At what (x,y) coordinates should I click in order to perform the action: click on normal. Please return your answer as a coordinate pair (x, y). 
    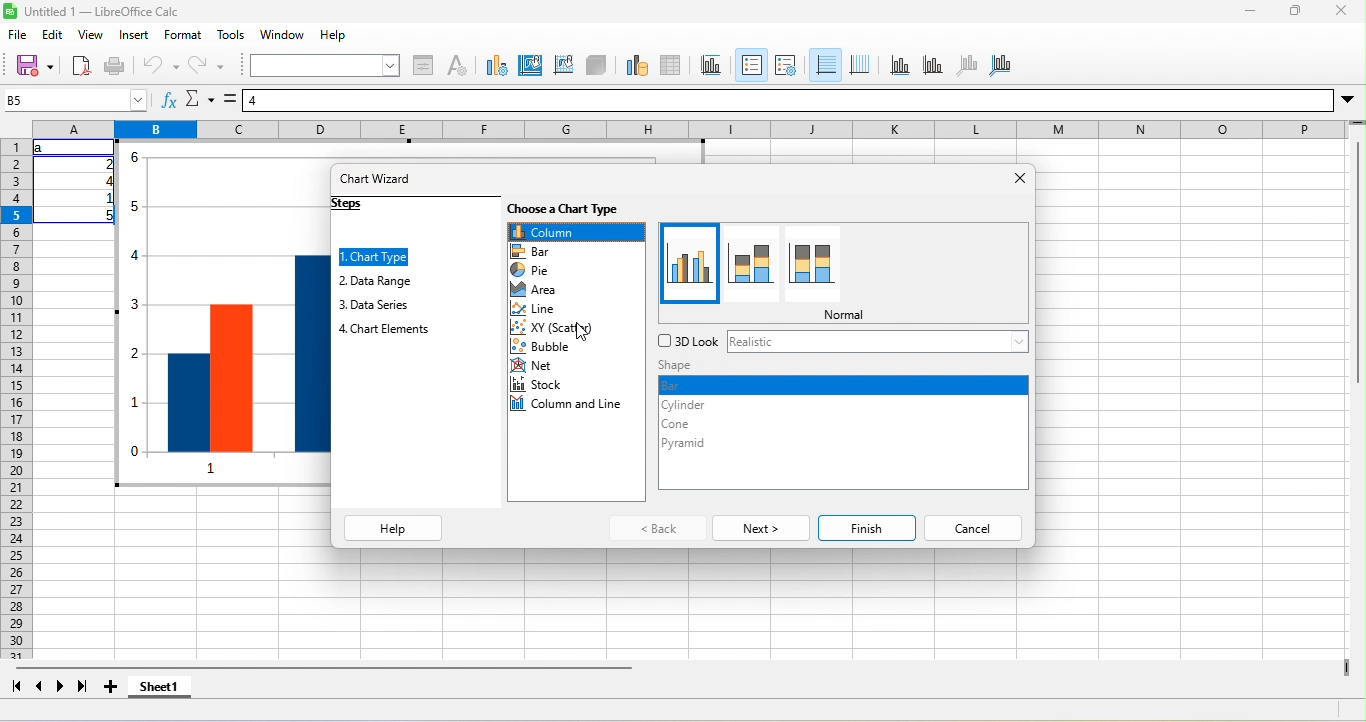
    Looking at the image, I should click on (690, 263).